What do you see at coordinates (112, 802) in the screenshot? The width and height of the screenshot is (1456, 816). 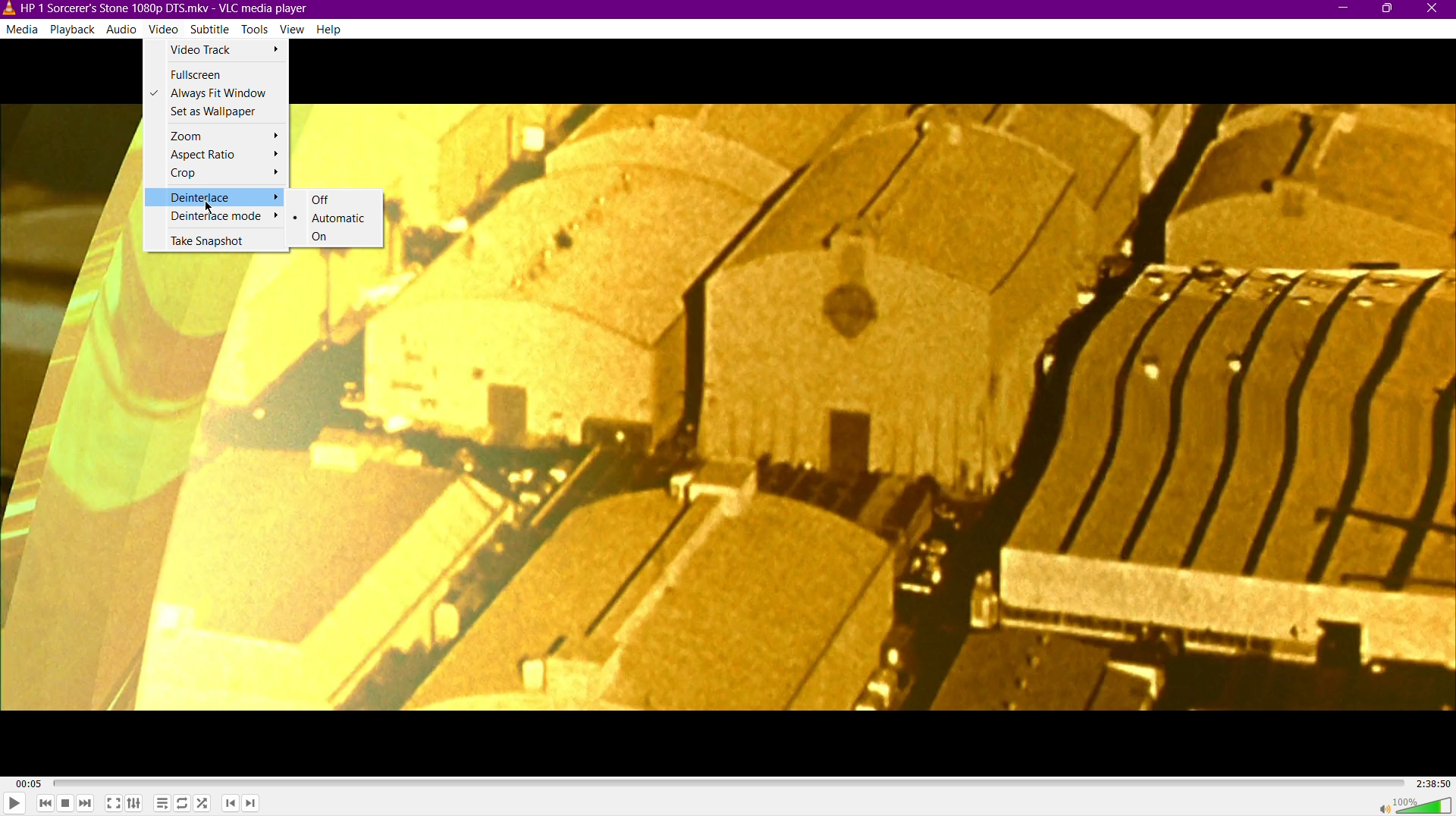 I see `Fullscreen` at bounding box center [112, 802].